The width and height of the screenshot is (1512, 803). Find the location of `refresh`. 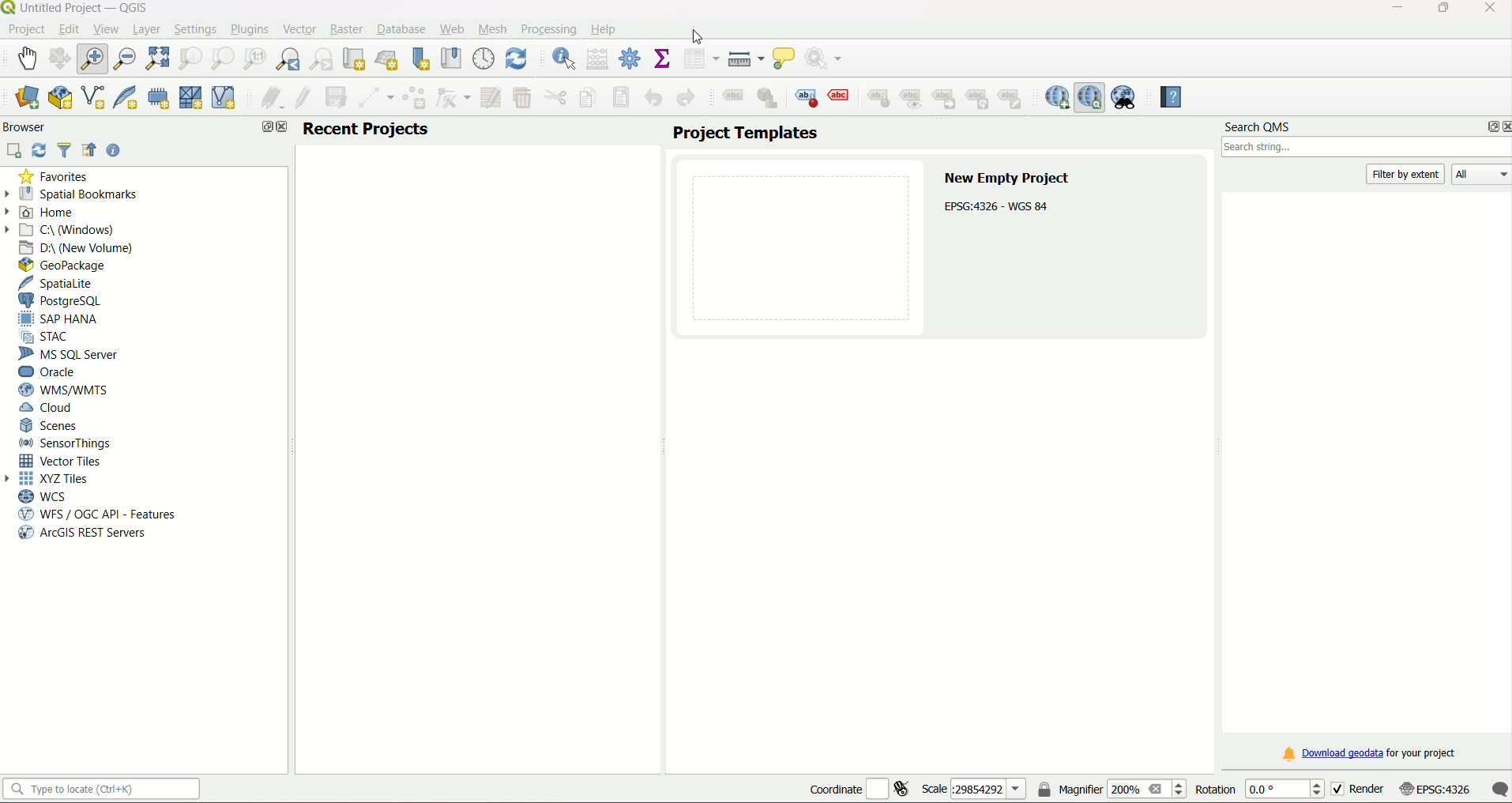

refresh is located at coordinates (517, 58).